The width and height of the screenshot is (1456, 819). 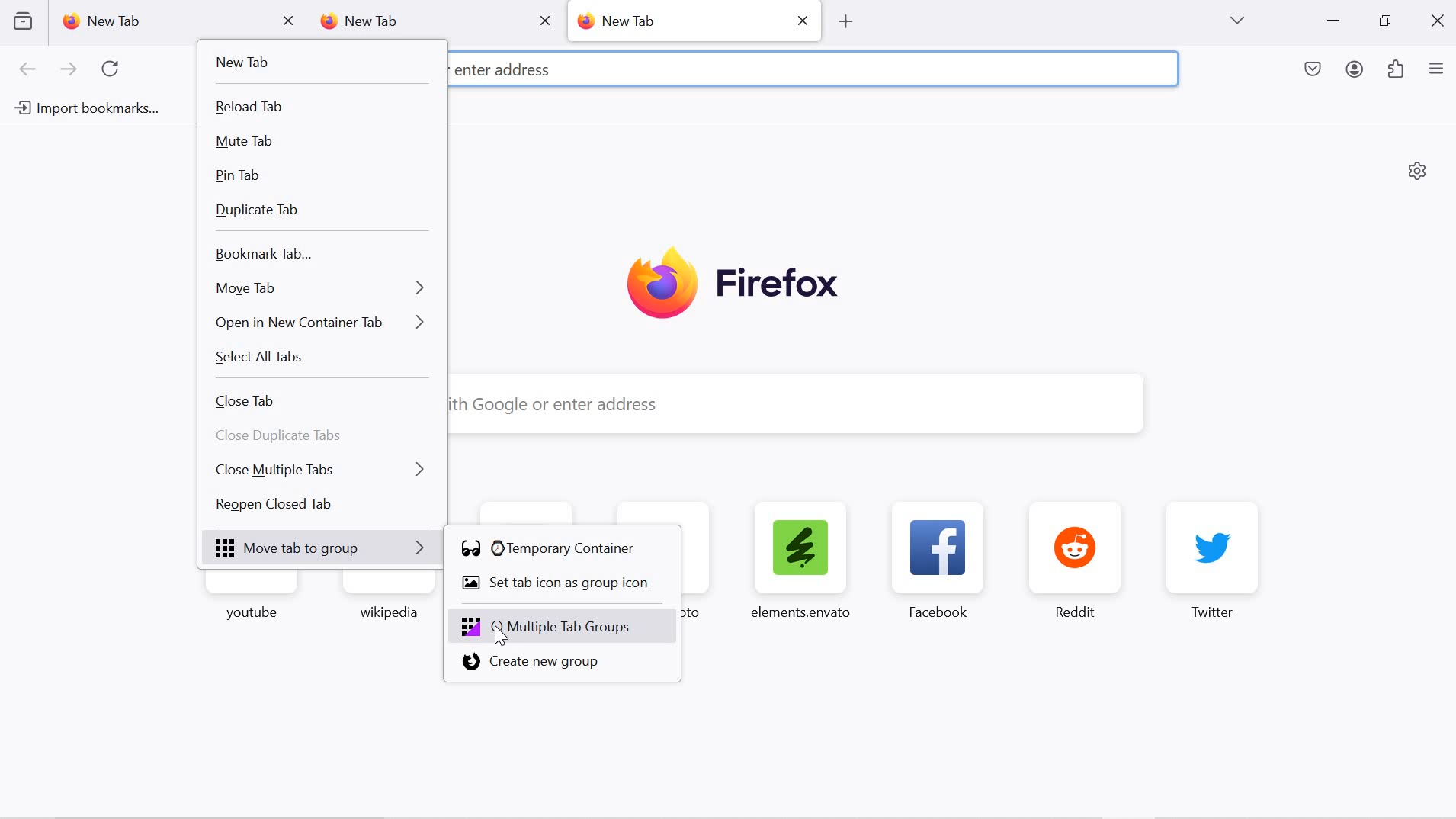 What do you see at coordinates (326, 437) in the screenshot?
I see `close duplicate tabs` at bounding box center [326, 437].